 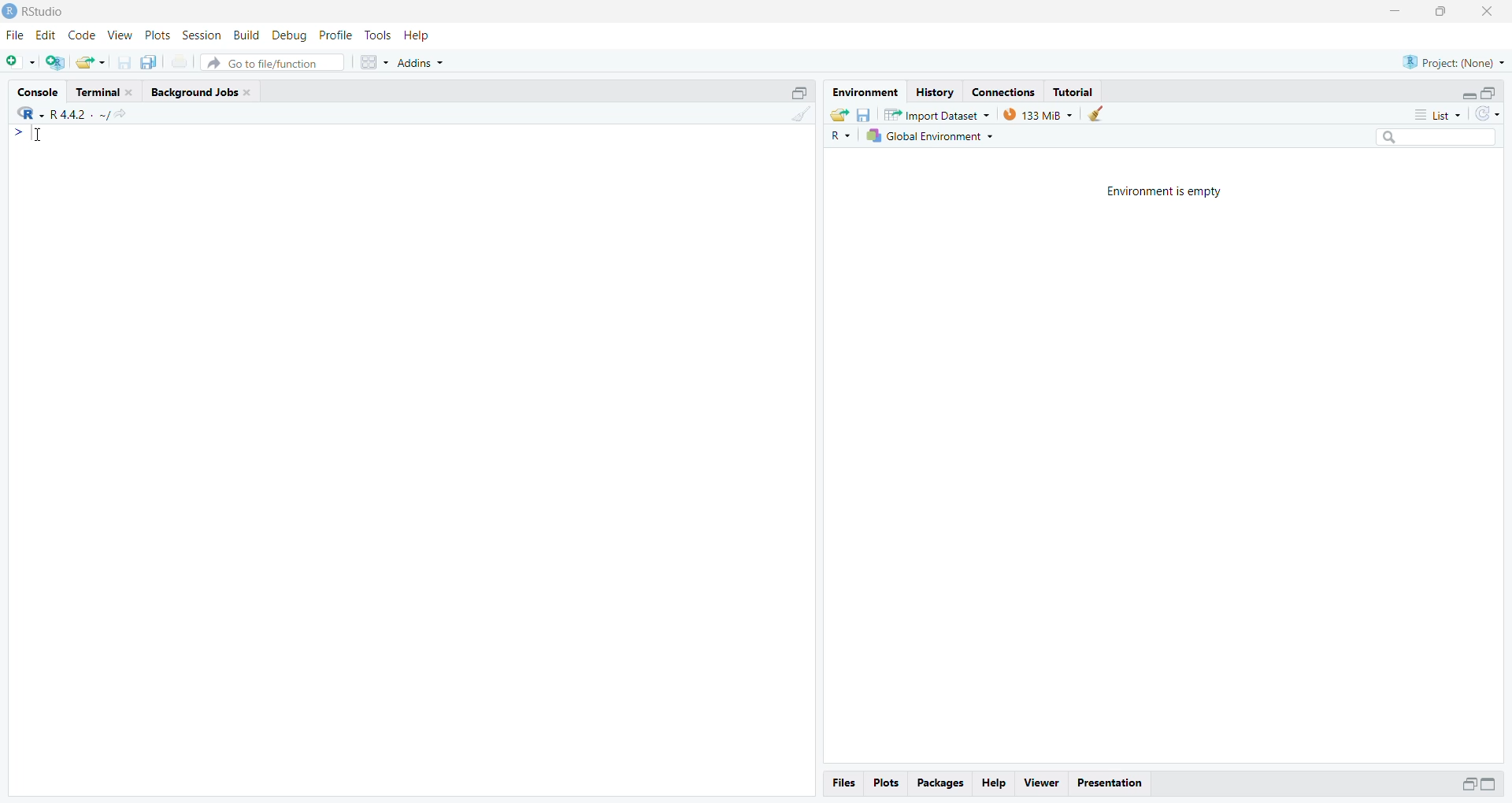 What do you see at coordinates (1395, 12) in the screenshot?
I see `Minimize` at bounding box center [1395, 12].